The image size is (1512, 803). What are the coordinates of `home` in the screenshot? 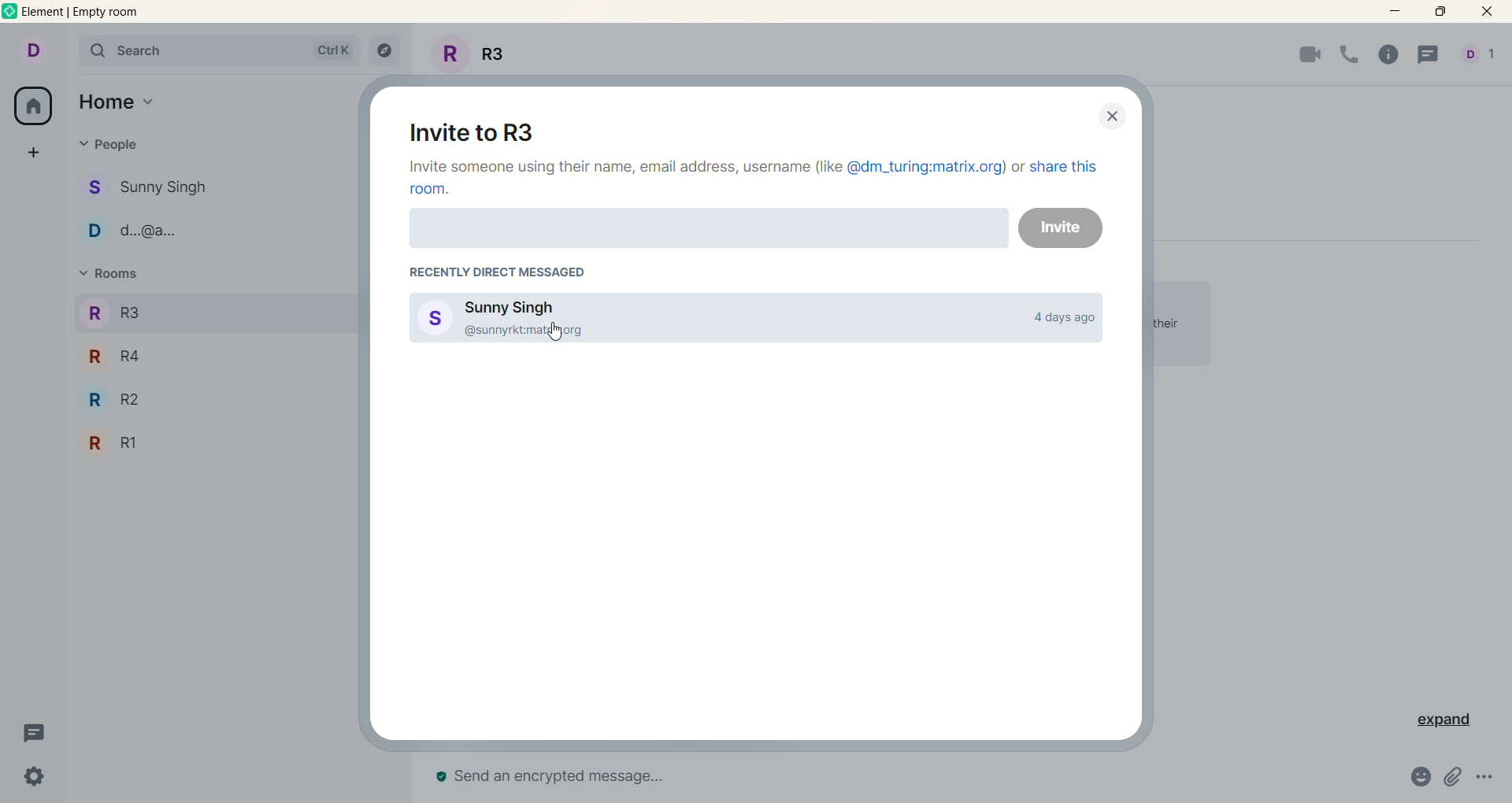 It's located at (120, 102).